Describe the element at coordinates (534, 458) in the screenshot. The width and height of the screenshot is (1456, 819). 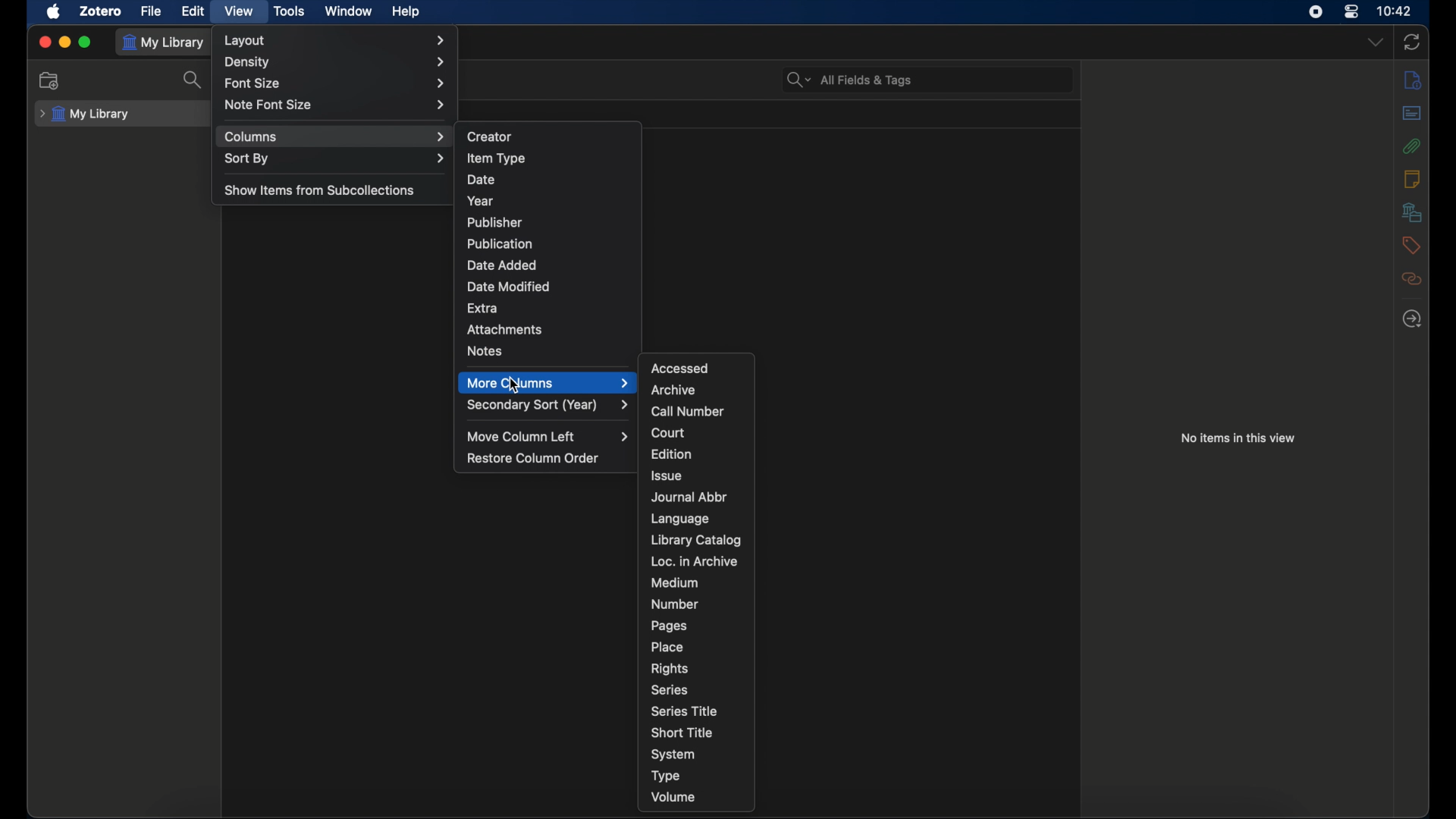
I see `restore column order` at that location.